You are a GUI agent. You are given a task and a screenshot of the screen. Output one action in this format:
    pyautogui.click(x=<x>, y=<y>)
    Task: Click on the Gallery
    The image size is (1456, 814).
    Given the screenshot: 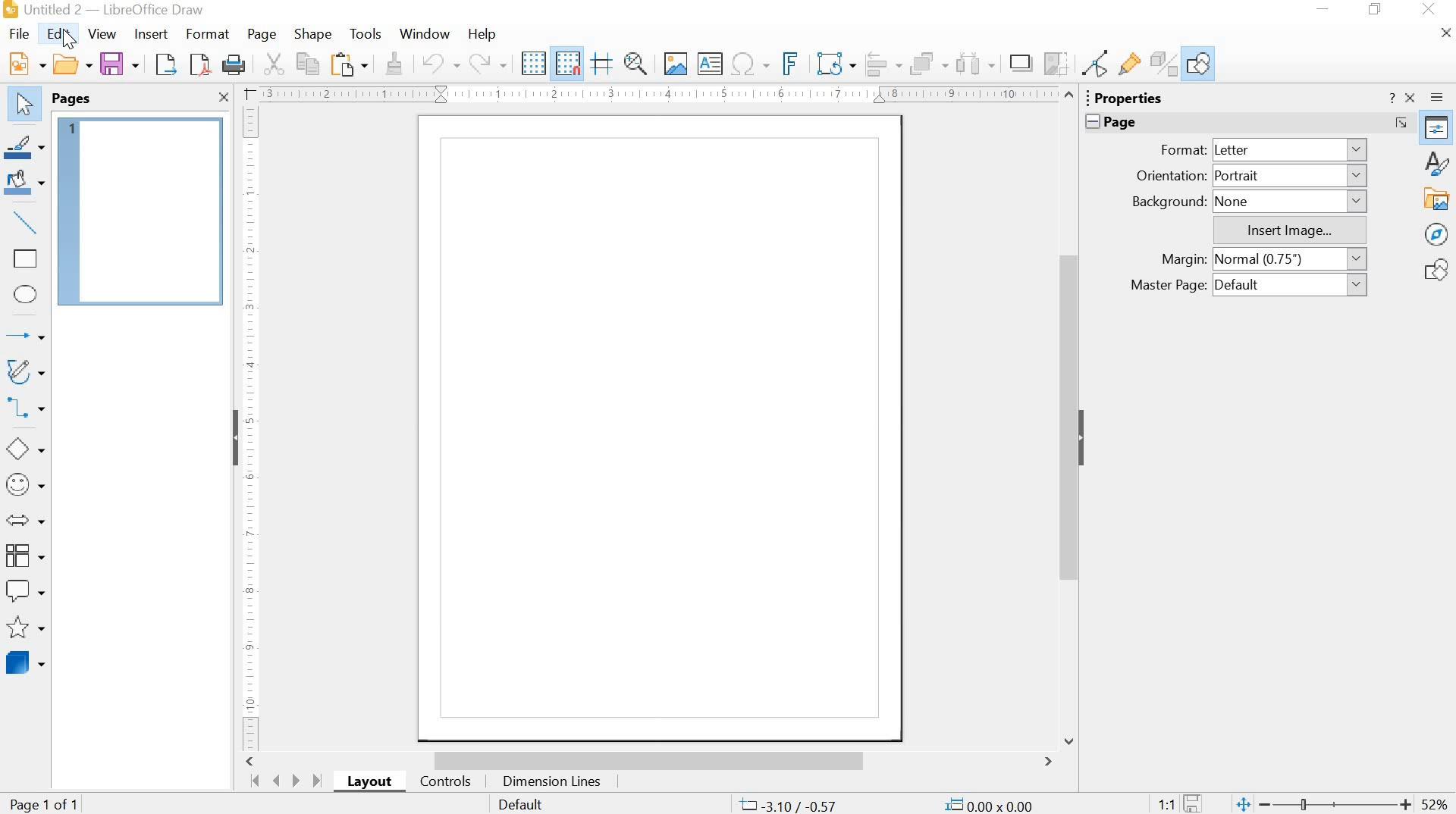 What is the action you would take?
    pyautogui.click(x=1438, y=199)
    